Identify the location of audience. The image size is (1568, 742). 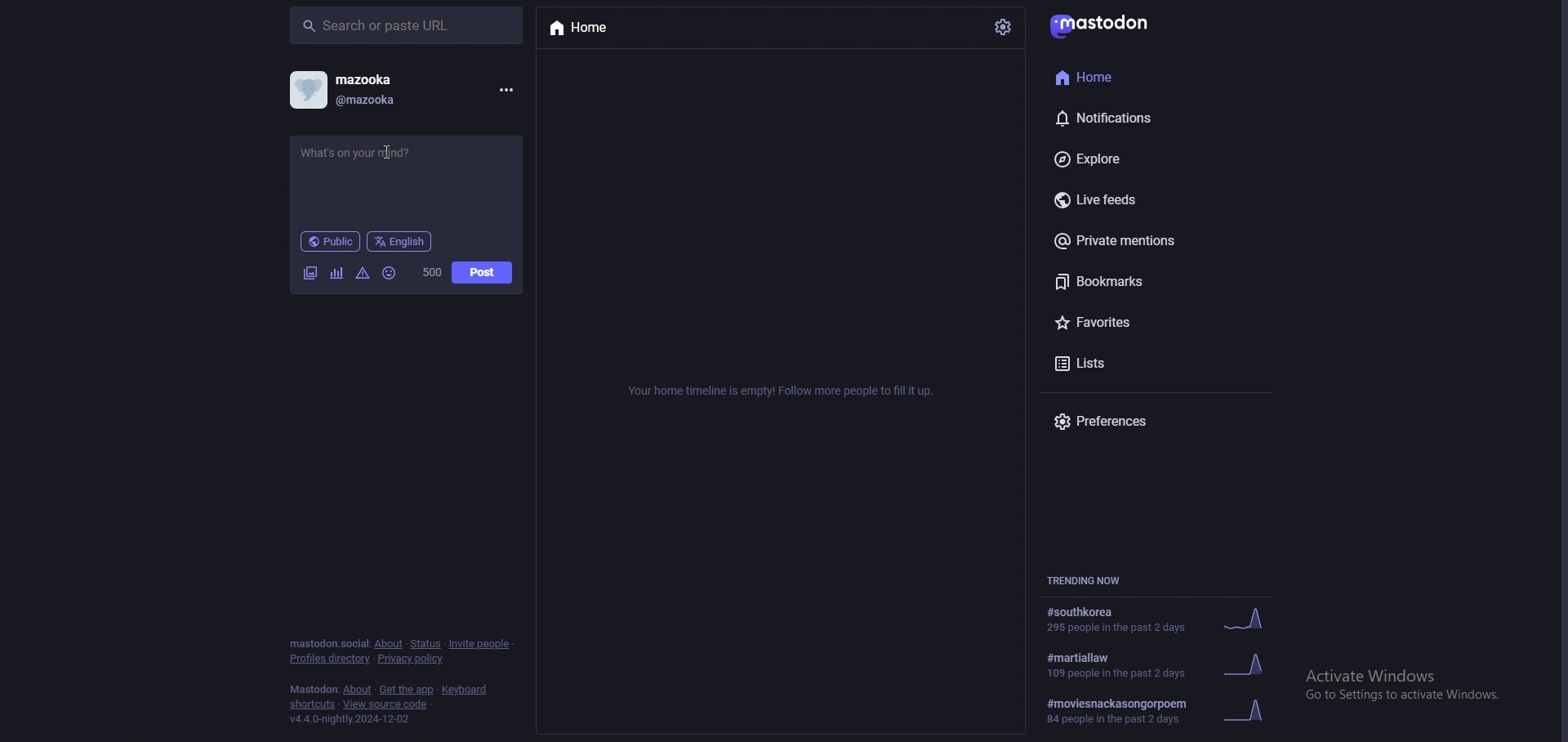
(331, 242).